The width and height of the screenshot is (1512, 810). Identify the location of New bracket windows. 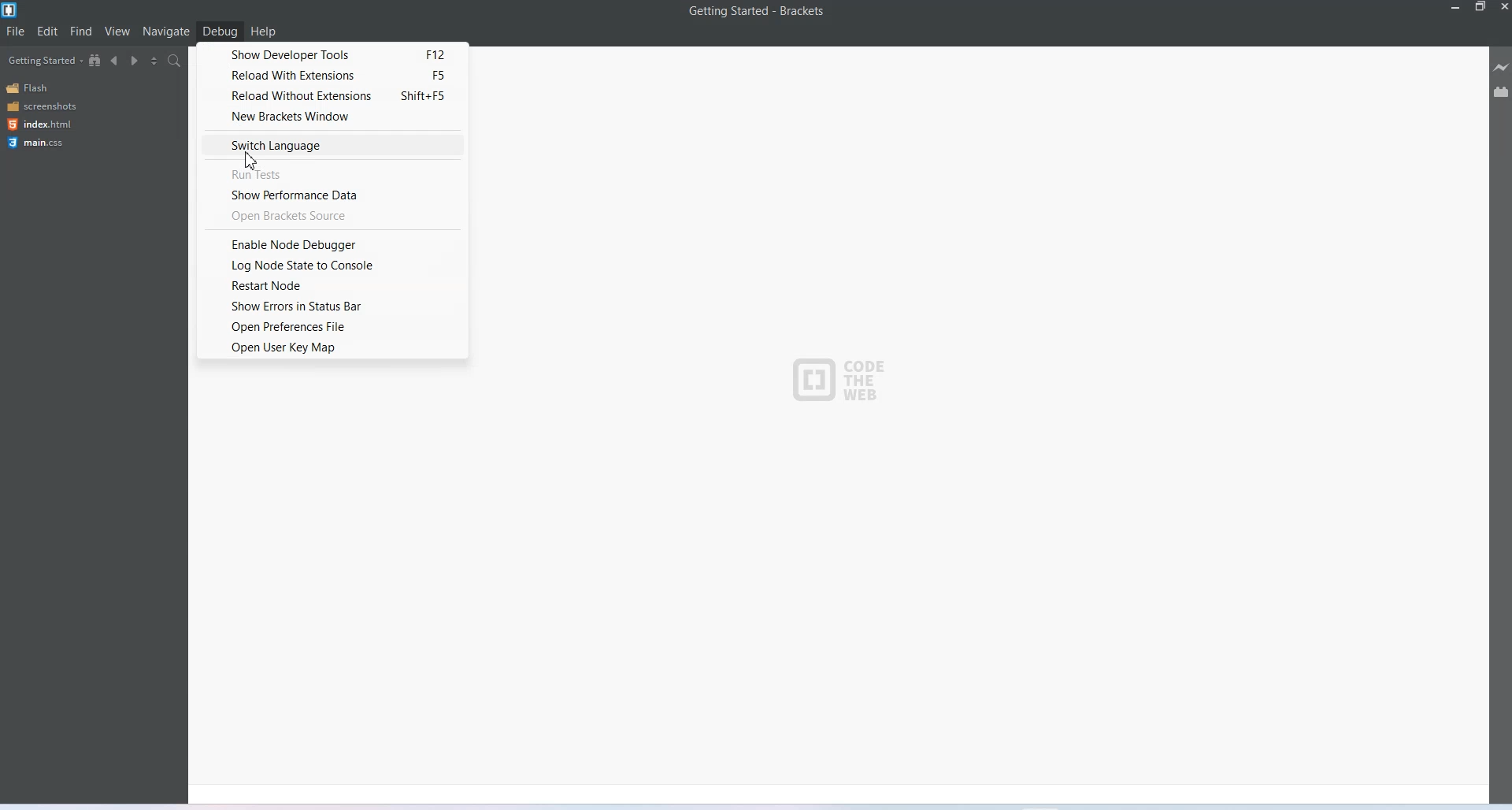
(331, 116).